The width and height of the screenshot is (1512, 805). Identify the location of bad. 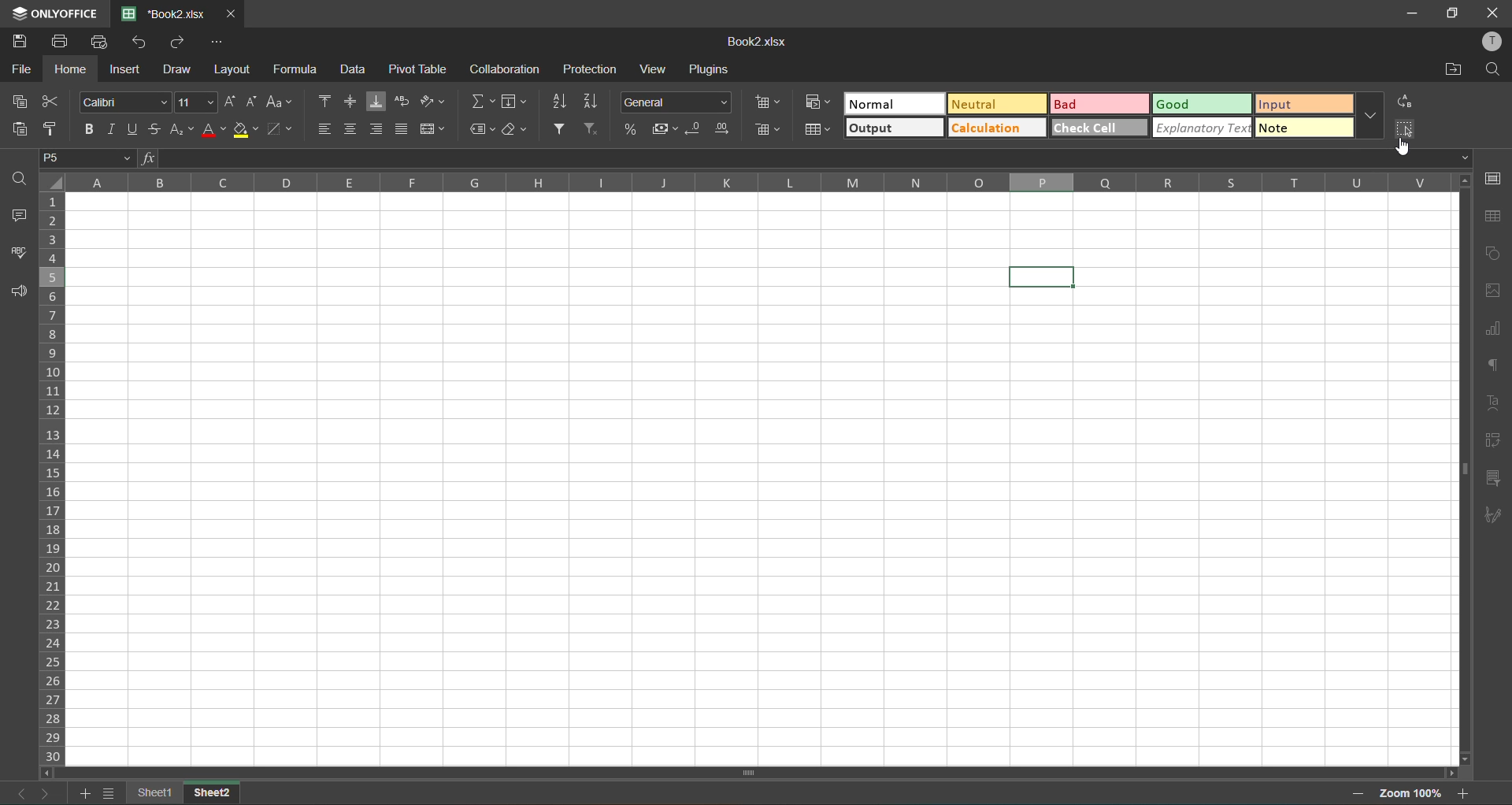
(1099, 104).